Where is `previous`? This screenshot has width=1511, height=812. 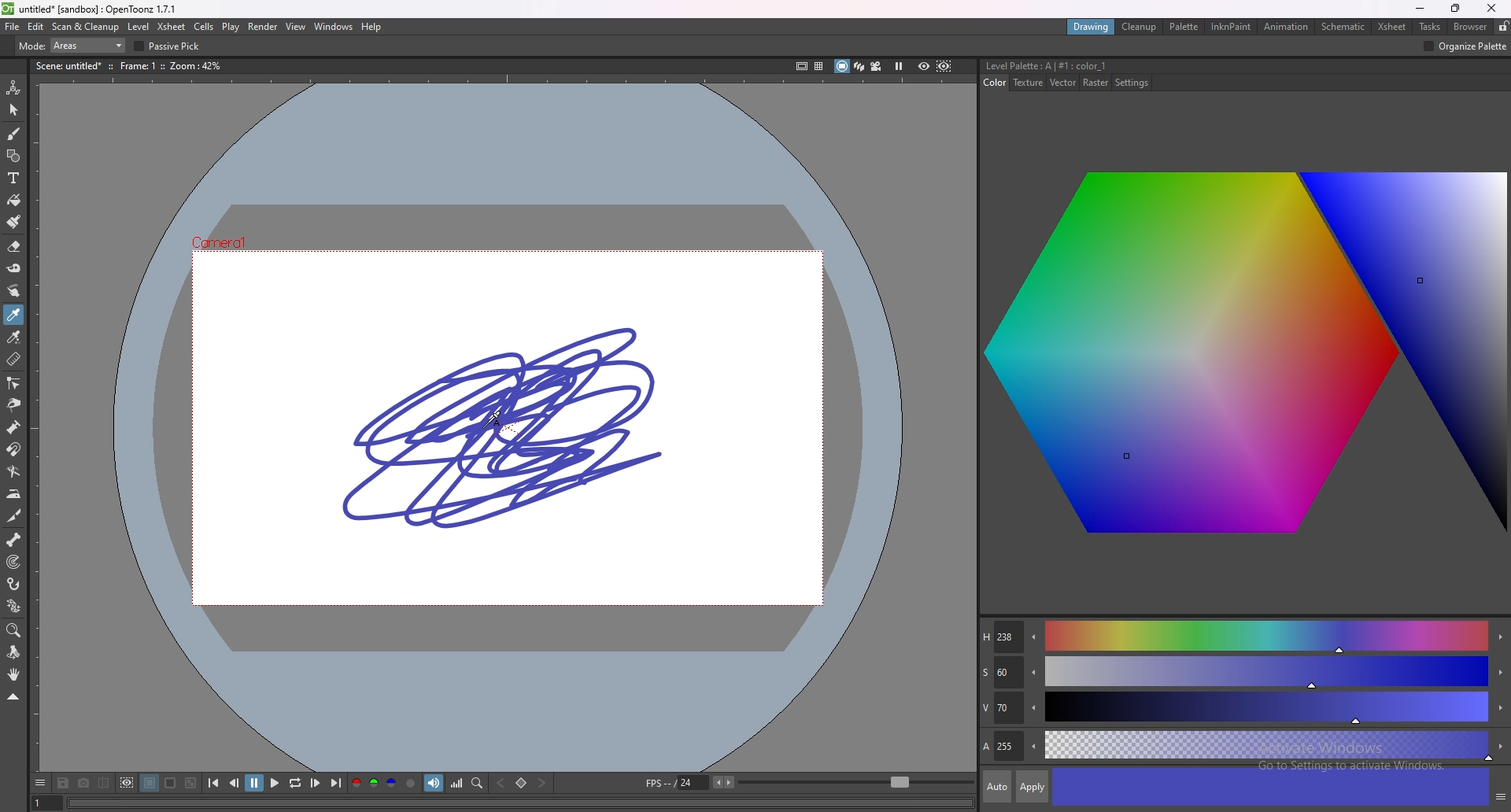
previous is located at coordinates (234, 783).